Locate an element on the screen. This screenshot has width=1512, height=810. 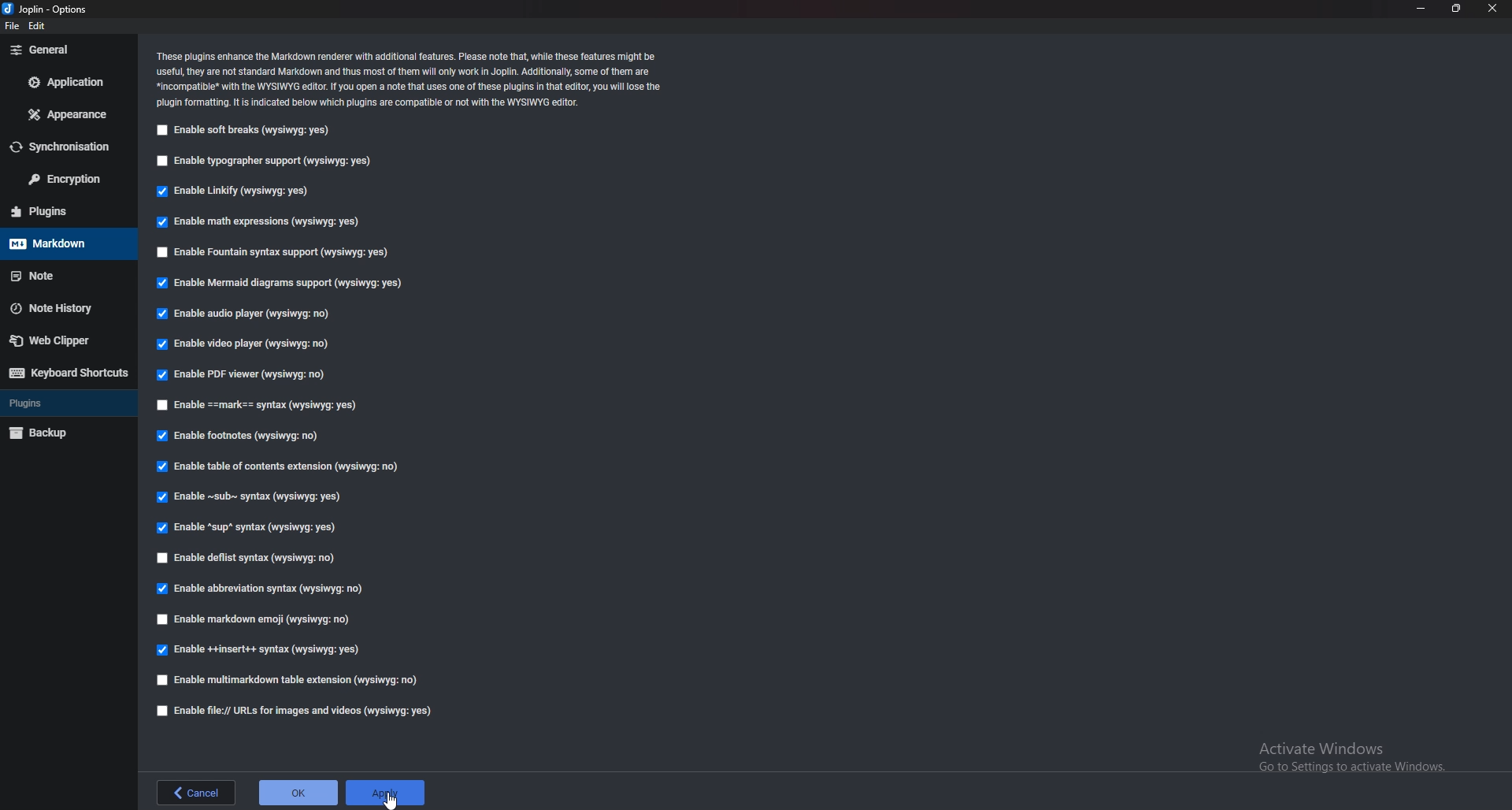
enable multi markdown table extension is located at coordinates (285, 681).